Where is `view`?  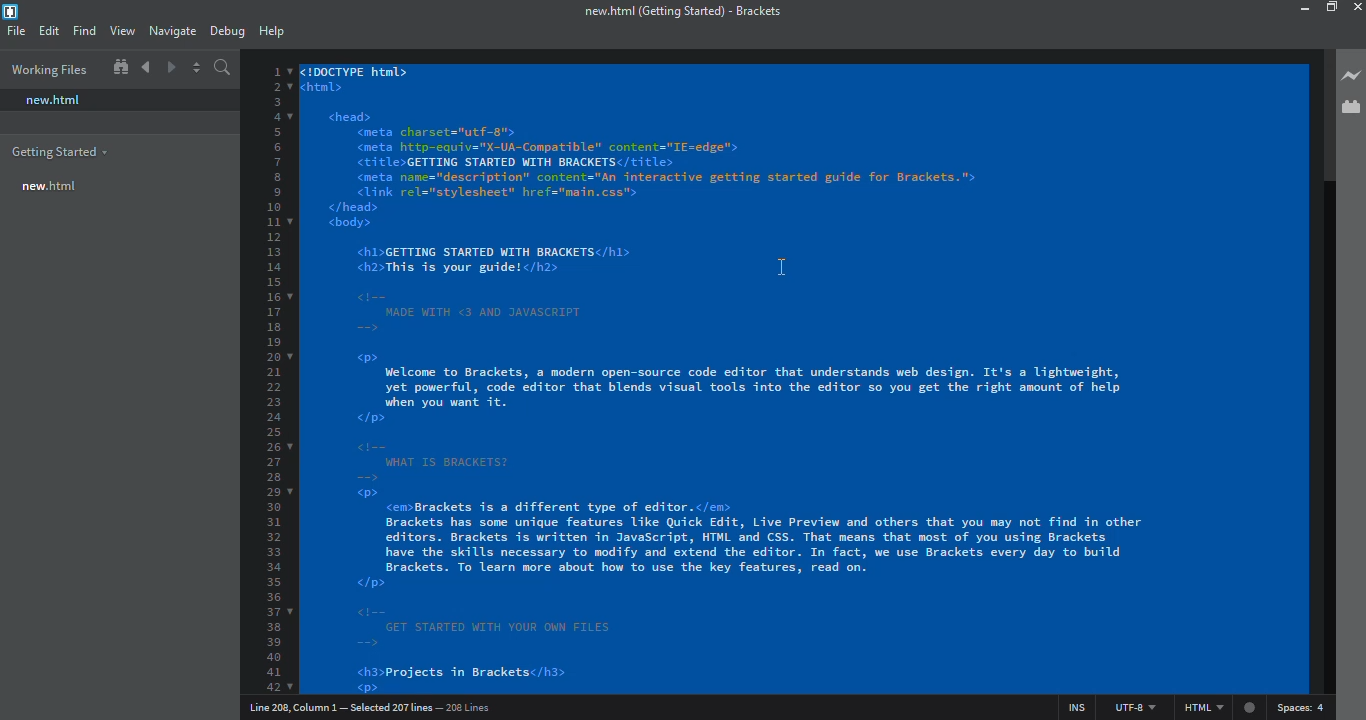
view is located at coordinates (124, 30).